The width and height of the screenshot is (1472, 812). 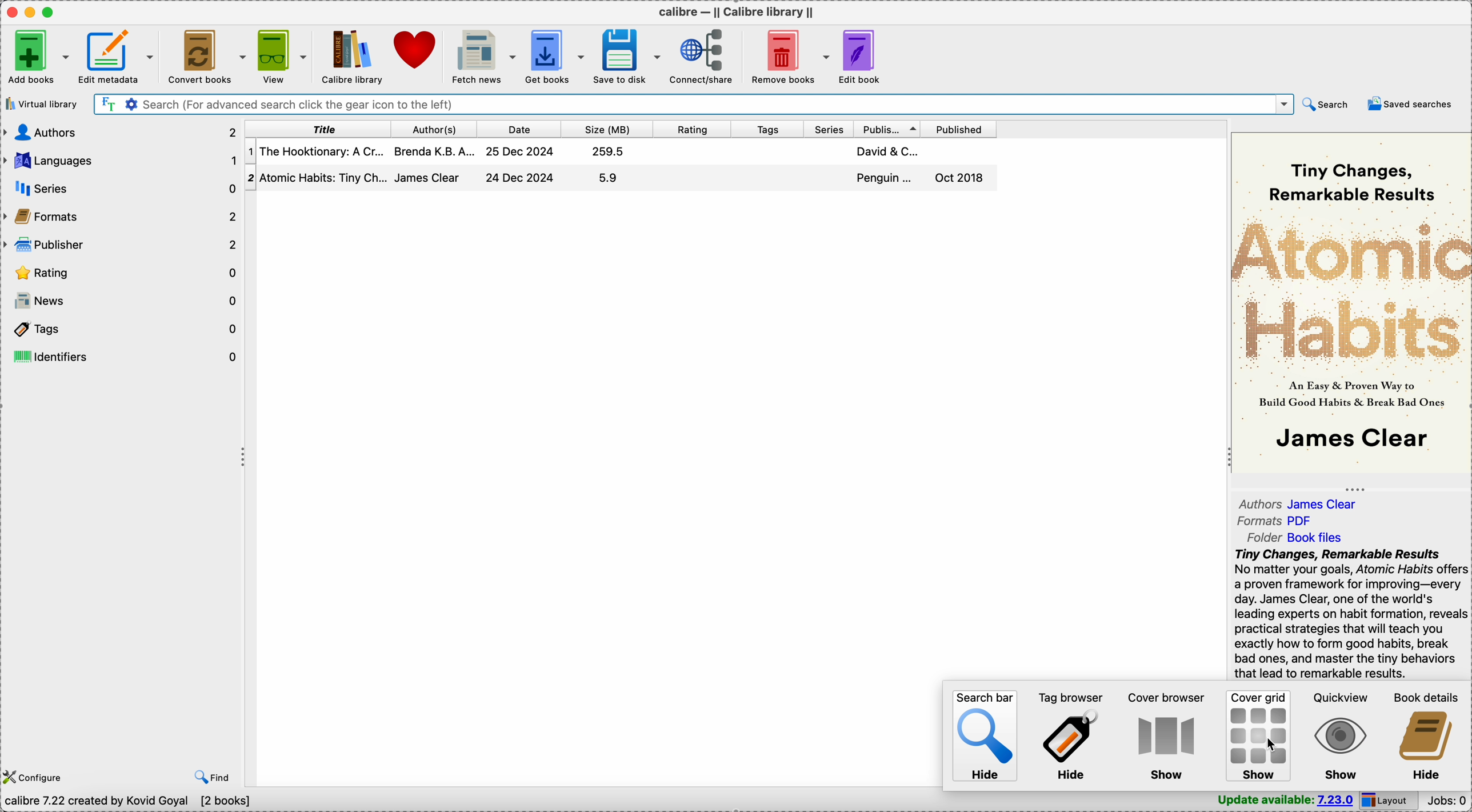 I want to click on get books, so click(x=556, y=57).